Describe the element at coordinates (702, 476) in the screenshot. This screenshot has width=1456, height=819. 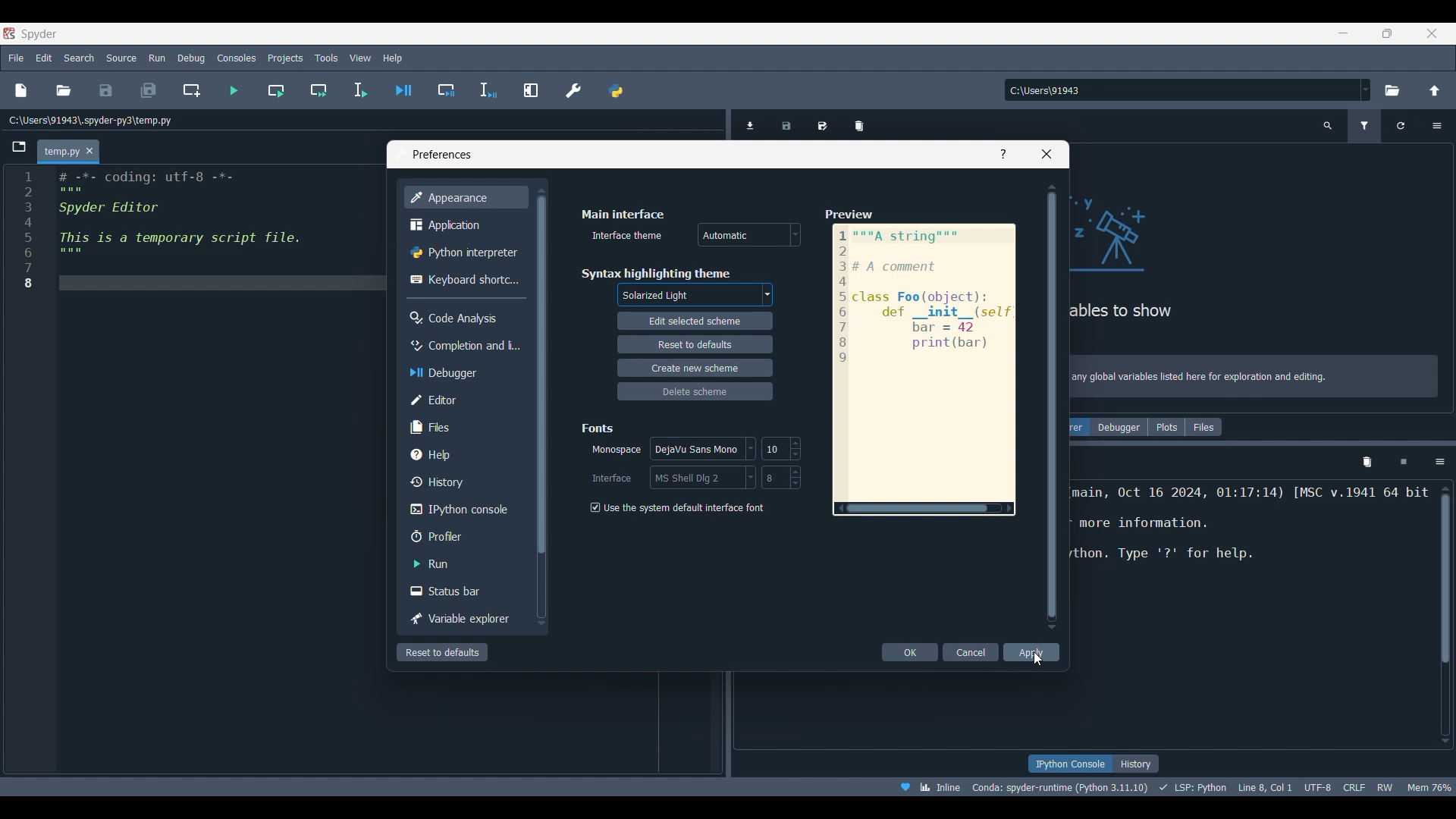
I see `interface font options` at that location.